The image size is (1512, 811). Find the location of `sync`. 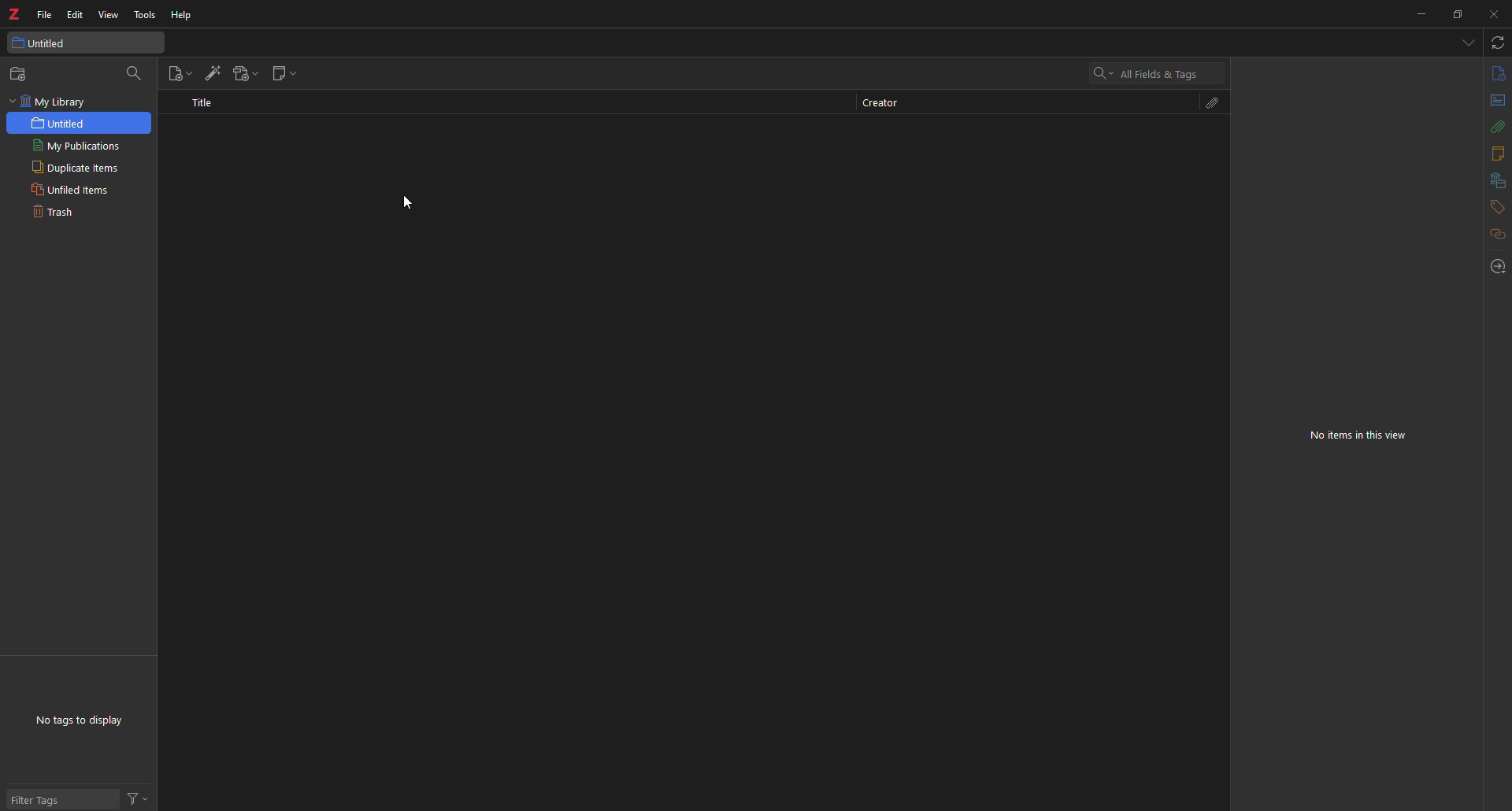

sync is located at coordinates (1499, 43).